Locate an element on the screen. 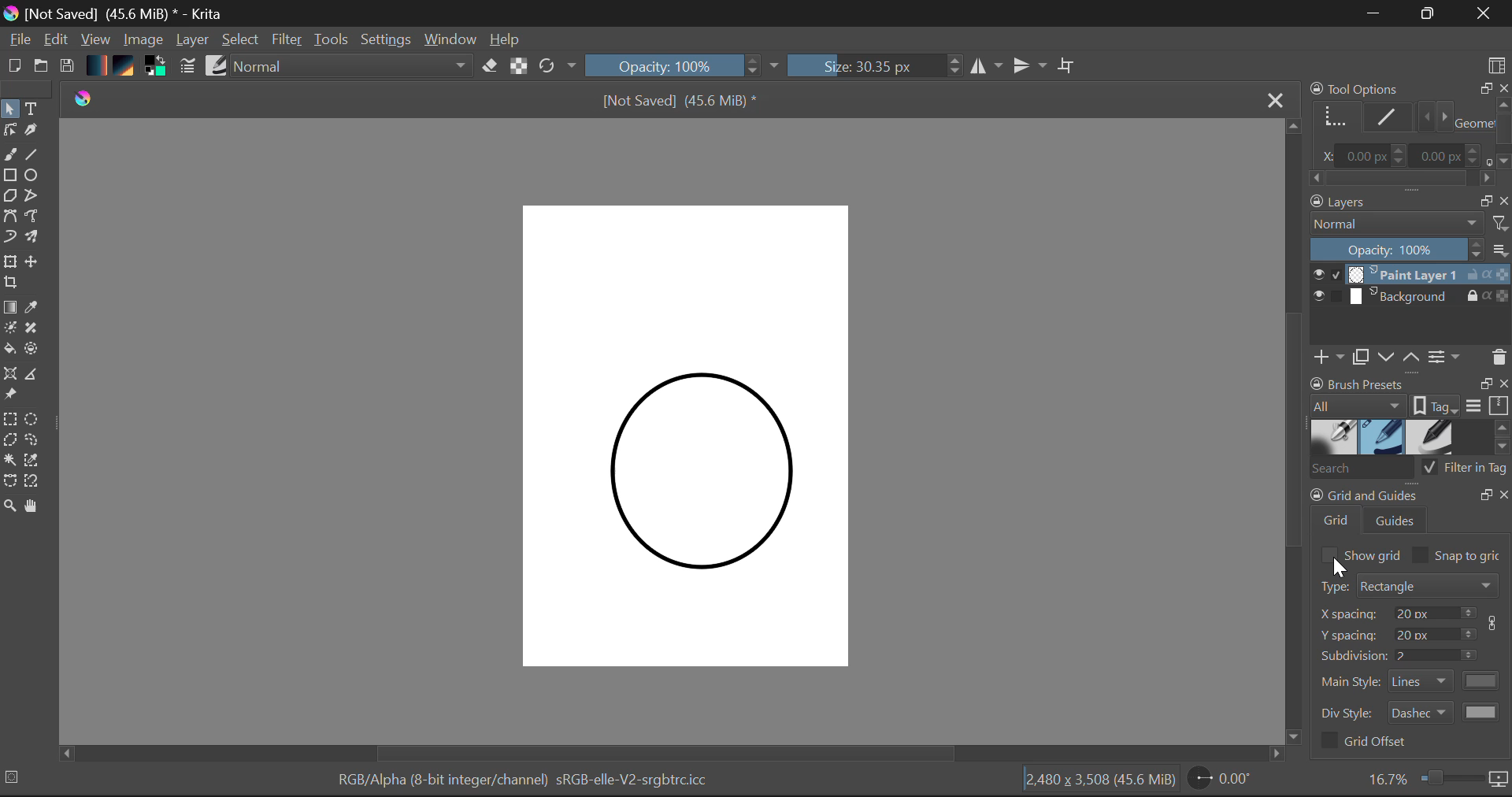 The width and height of the screenshot is (1512, 797). Colors in use is located at coordinates (159, 69).